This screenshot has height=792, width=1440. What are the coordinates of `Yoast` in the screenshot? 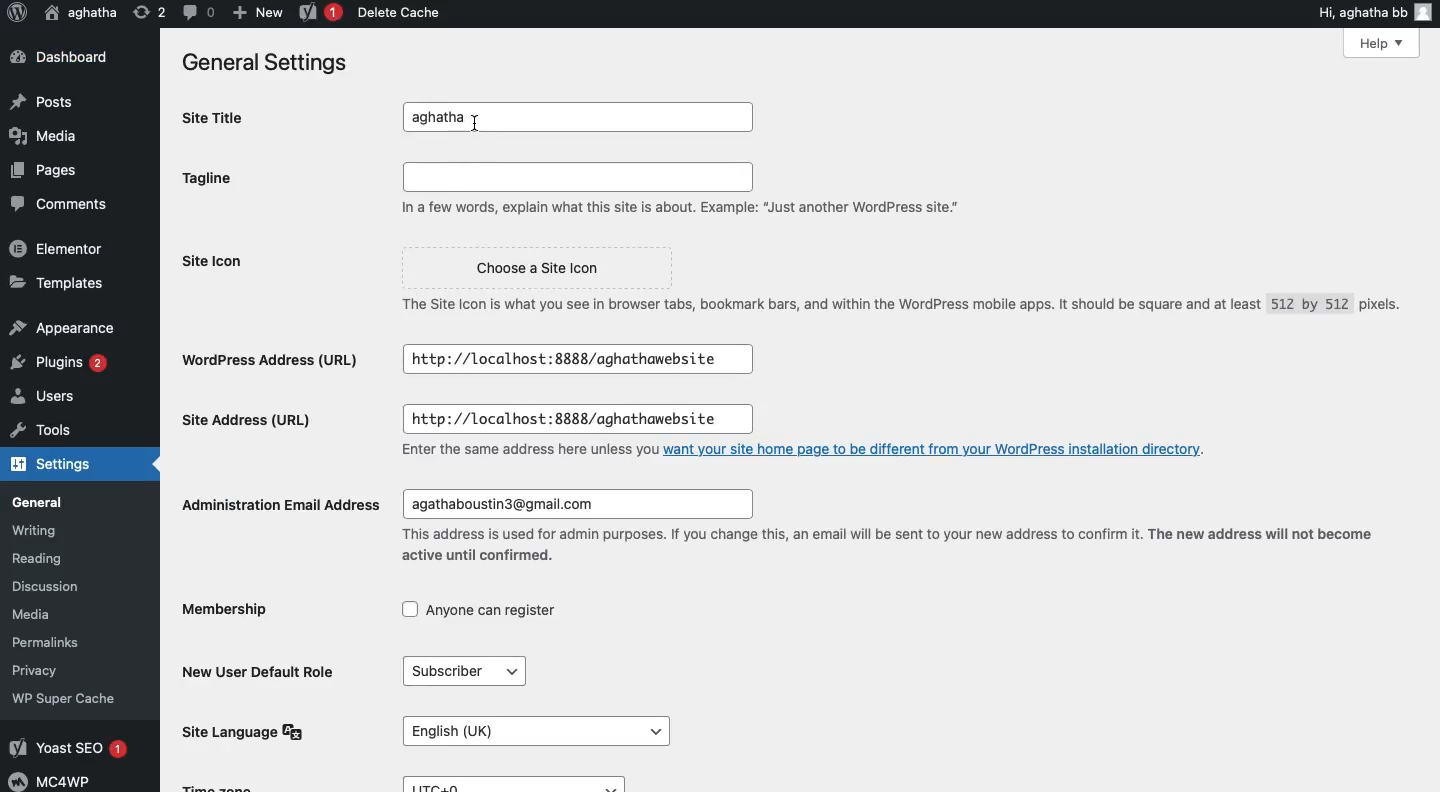 It's located at (316, 13).